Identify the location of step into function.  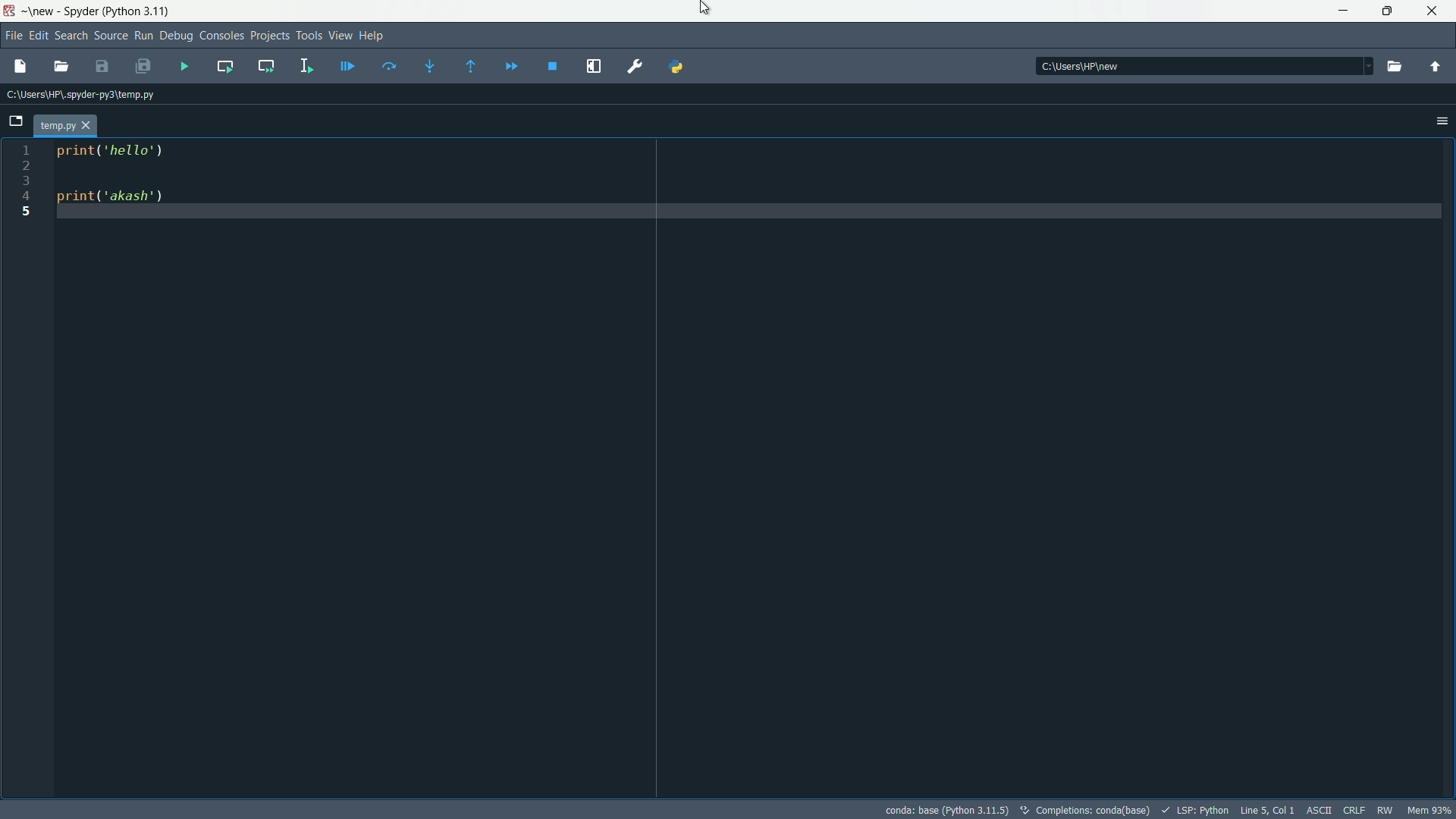
(431, 65).